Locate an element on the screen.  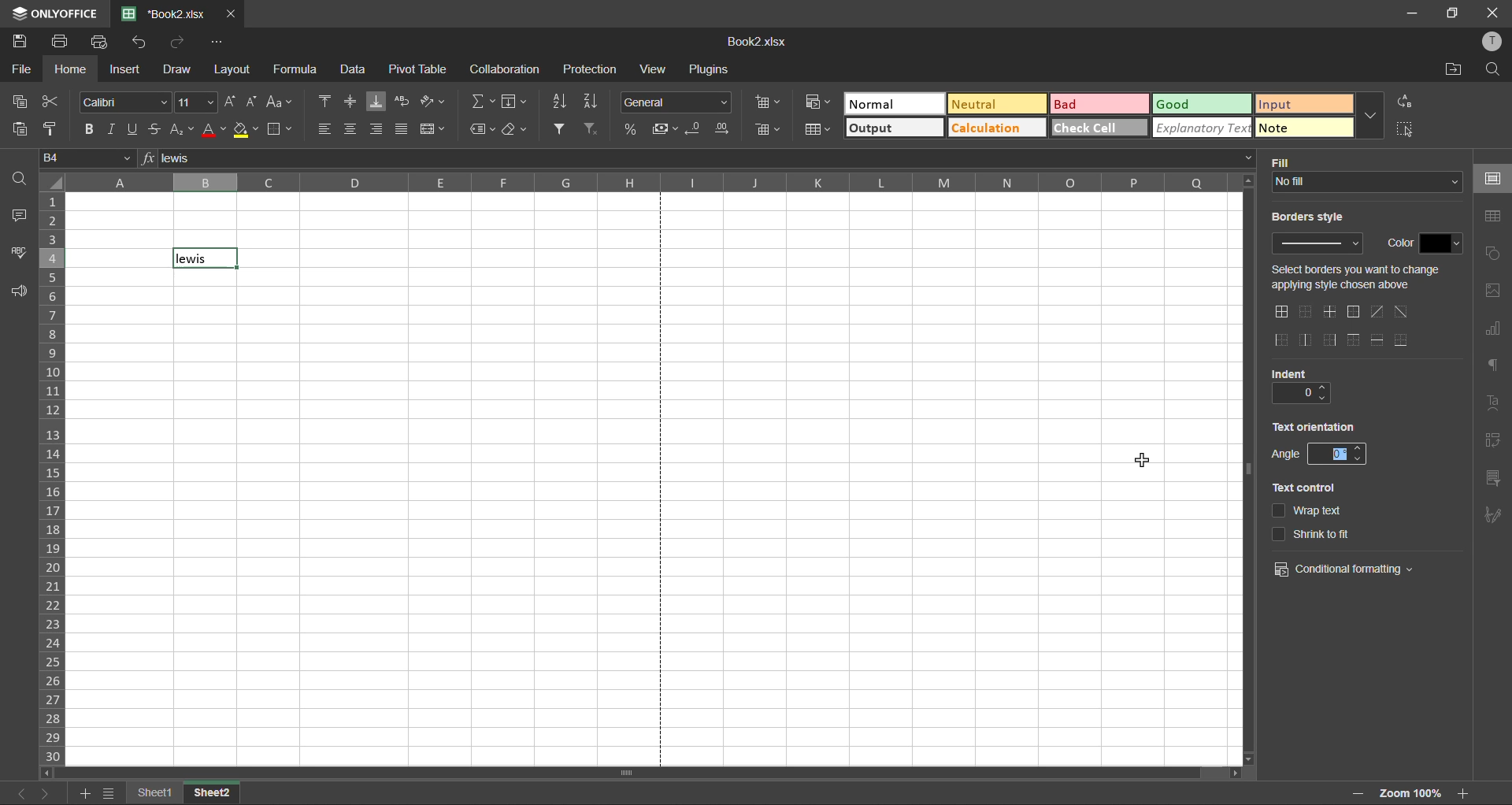
table is located at coordinates (1493, 218).